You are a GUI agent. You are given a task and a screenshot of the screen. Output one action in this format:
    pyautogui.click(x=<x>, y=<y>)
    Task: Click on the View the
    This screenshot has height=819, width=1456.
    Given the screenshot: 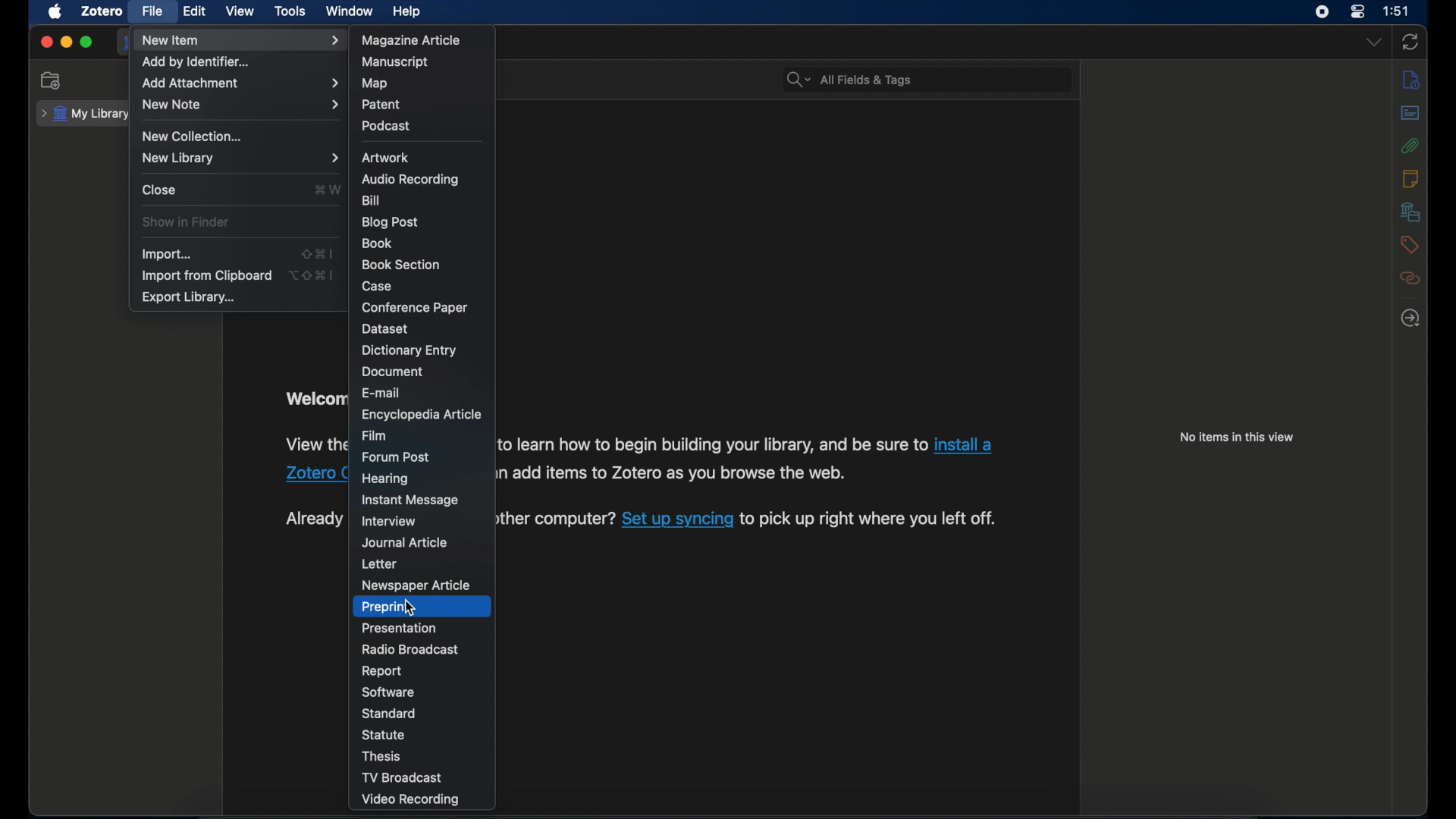 What is the action you would take?
    pyautogui.click(x=312, y=444)
    